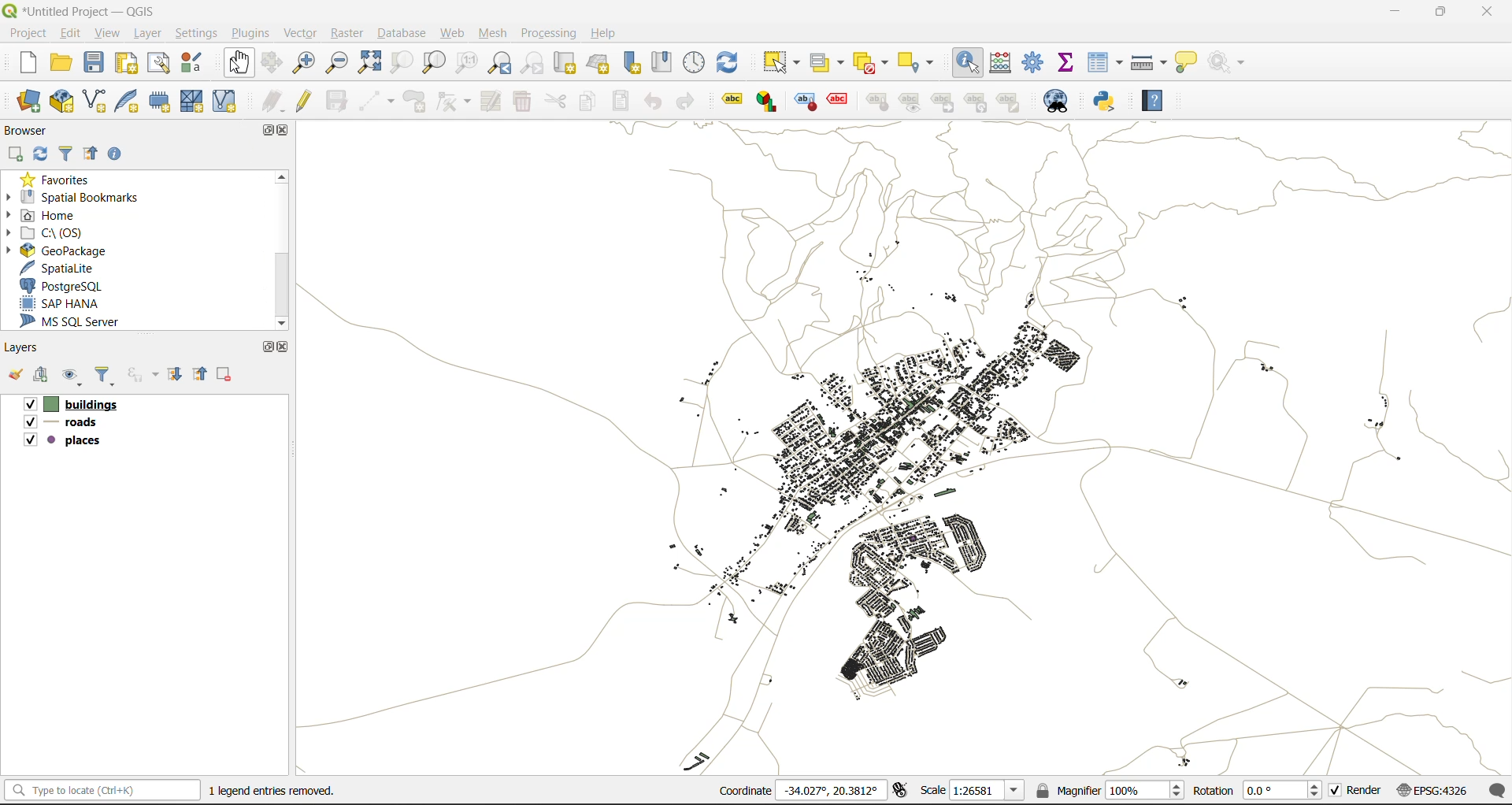 This screenshot has height=805, width=1512. What do you see at coordinates (490, 102) in the screenshot?
I see `modify` at bounding box center [490, 102].